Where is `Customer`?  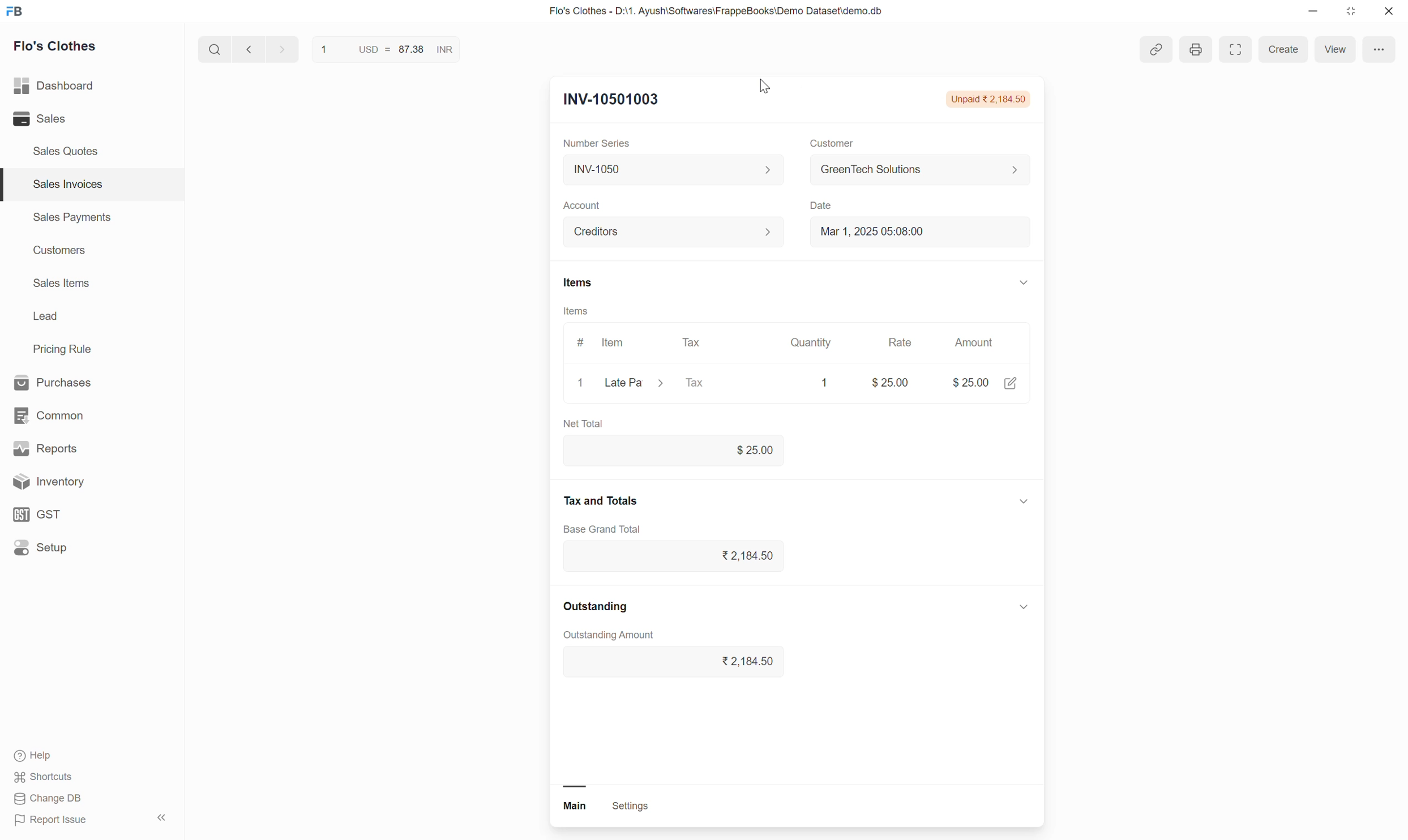
Customer is located at coordinates (827, 144).